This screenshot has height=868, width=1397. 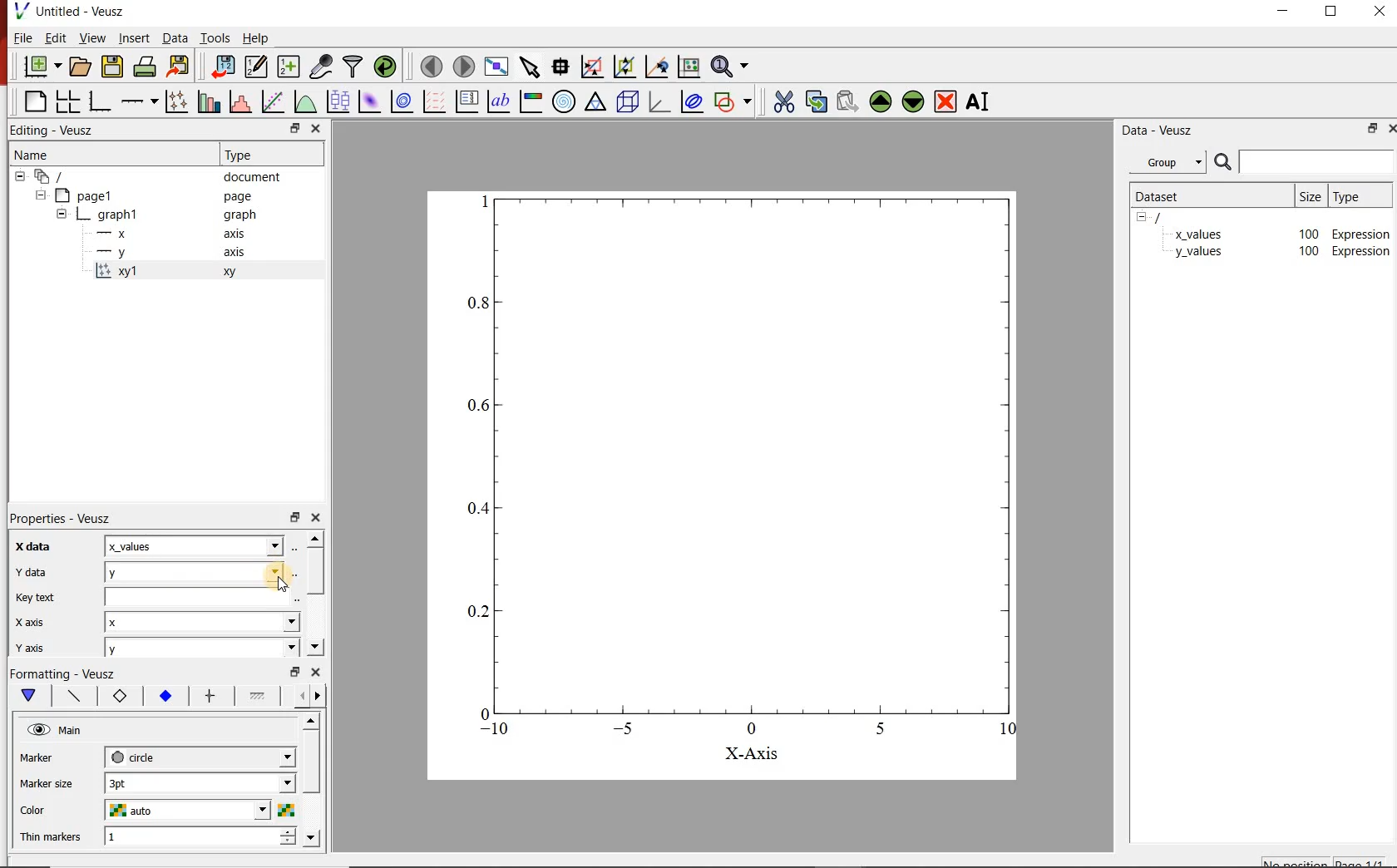 What do you see at coordinates (185, 809) in the screenshot?
I see `auto` at bounding box center [185, 809].